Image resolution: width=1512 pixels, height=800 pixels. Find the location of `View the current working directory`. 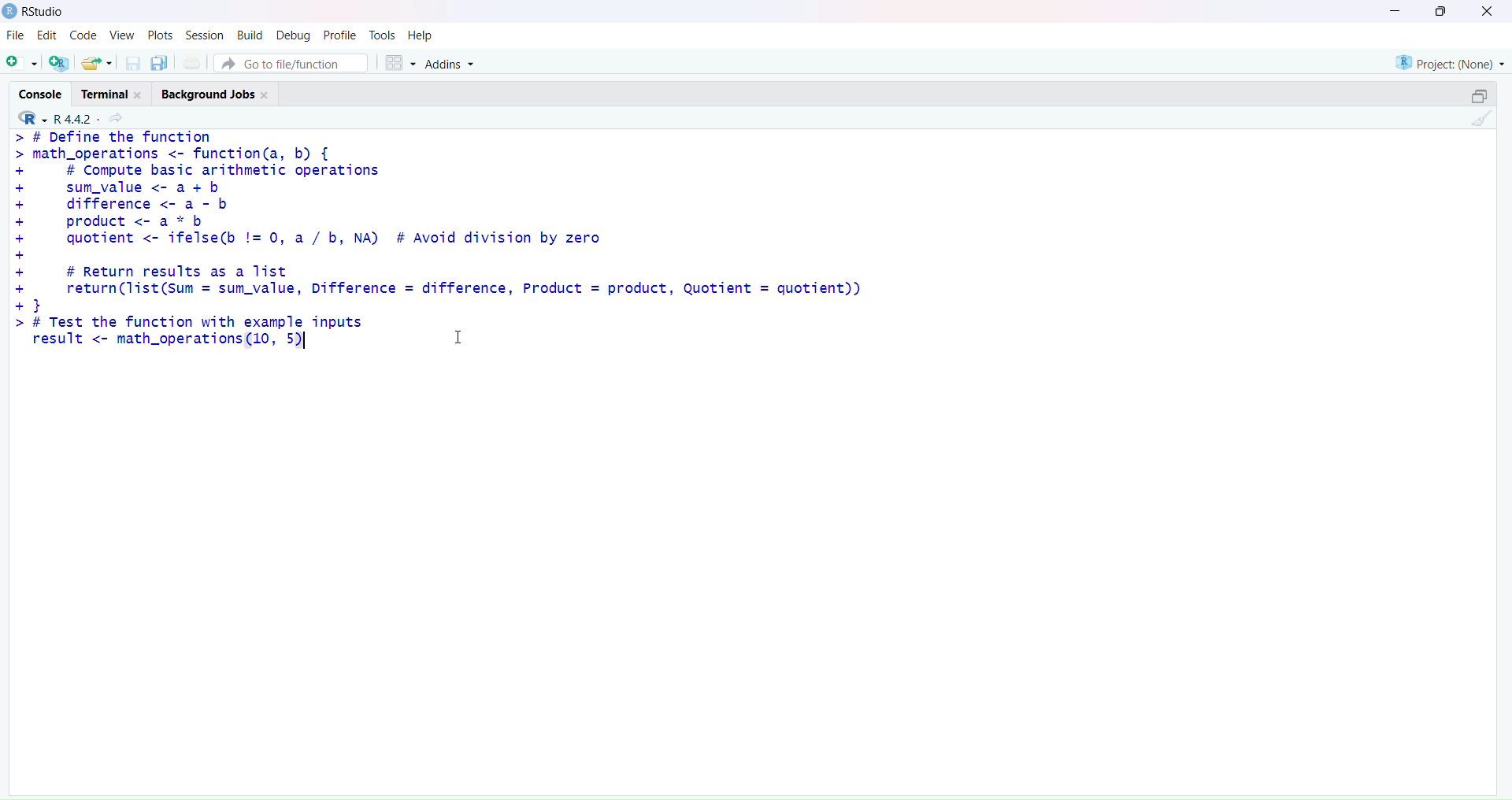

View the current working directory is located at coordinates (119, 119).